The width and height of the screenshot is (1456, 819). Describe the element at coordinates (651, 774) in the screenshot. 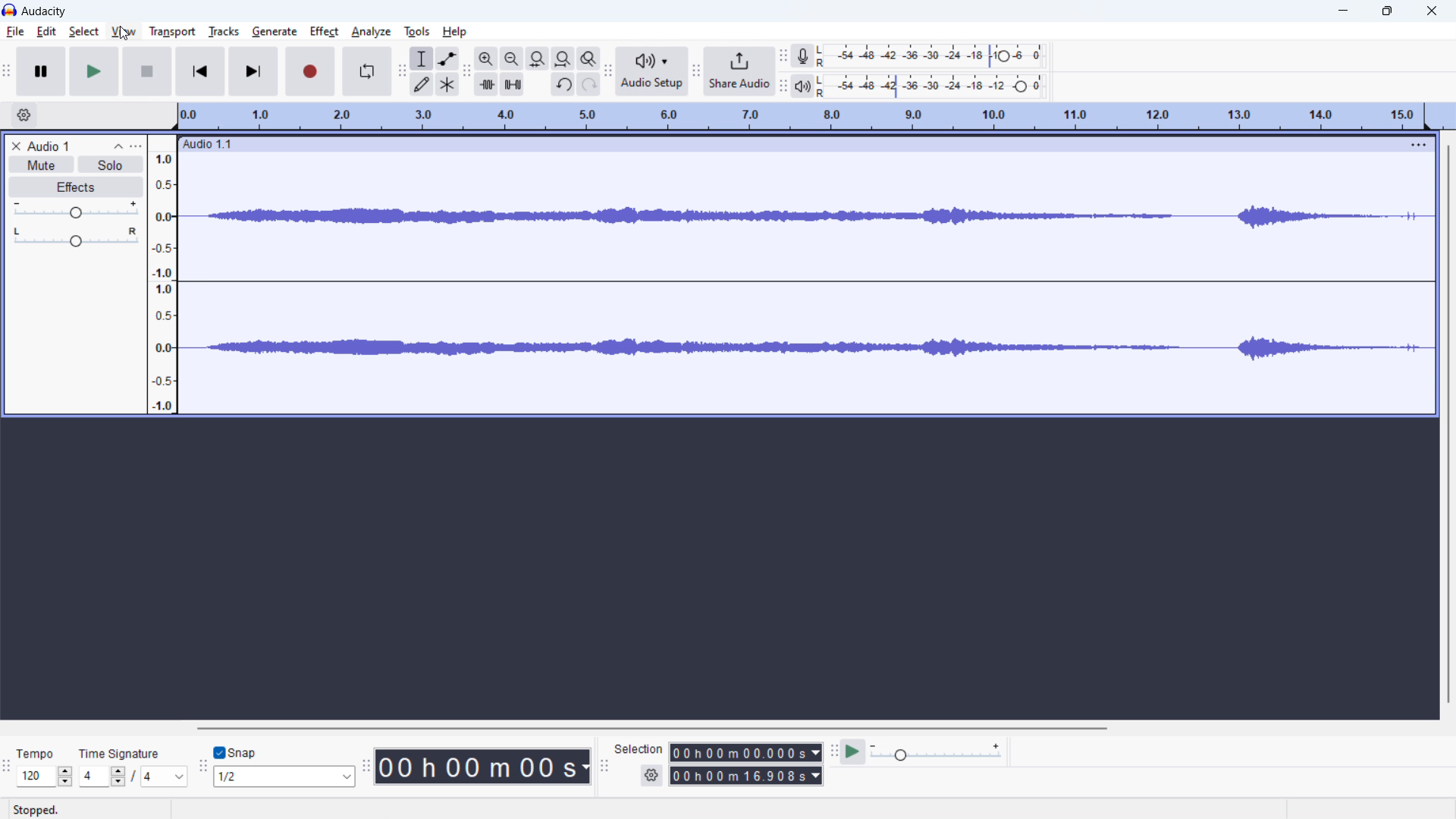

I see `settings` at that location.